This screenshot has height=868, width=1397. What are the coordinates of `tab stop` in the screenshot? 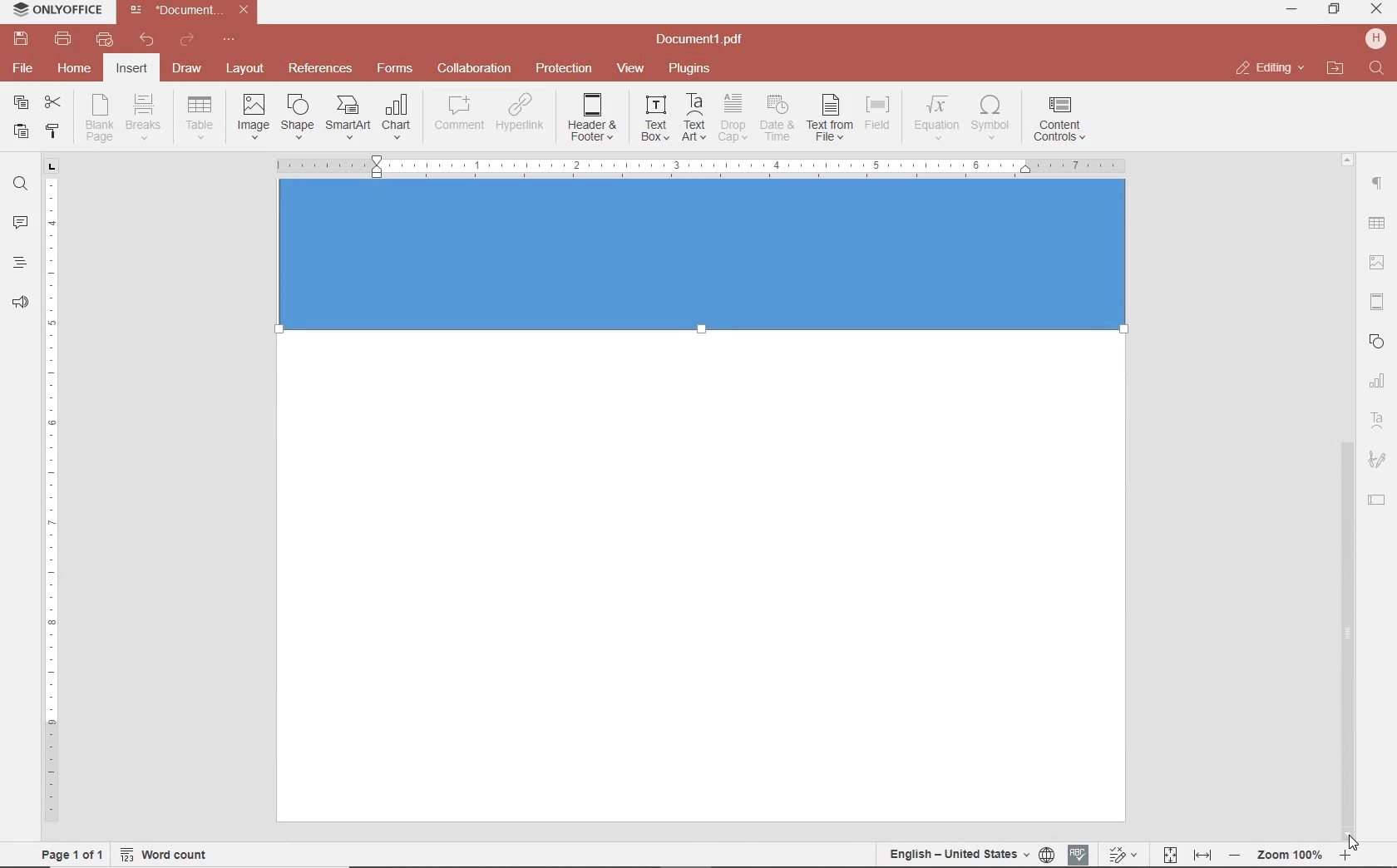 It's located at (52, 165).